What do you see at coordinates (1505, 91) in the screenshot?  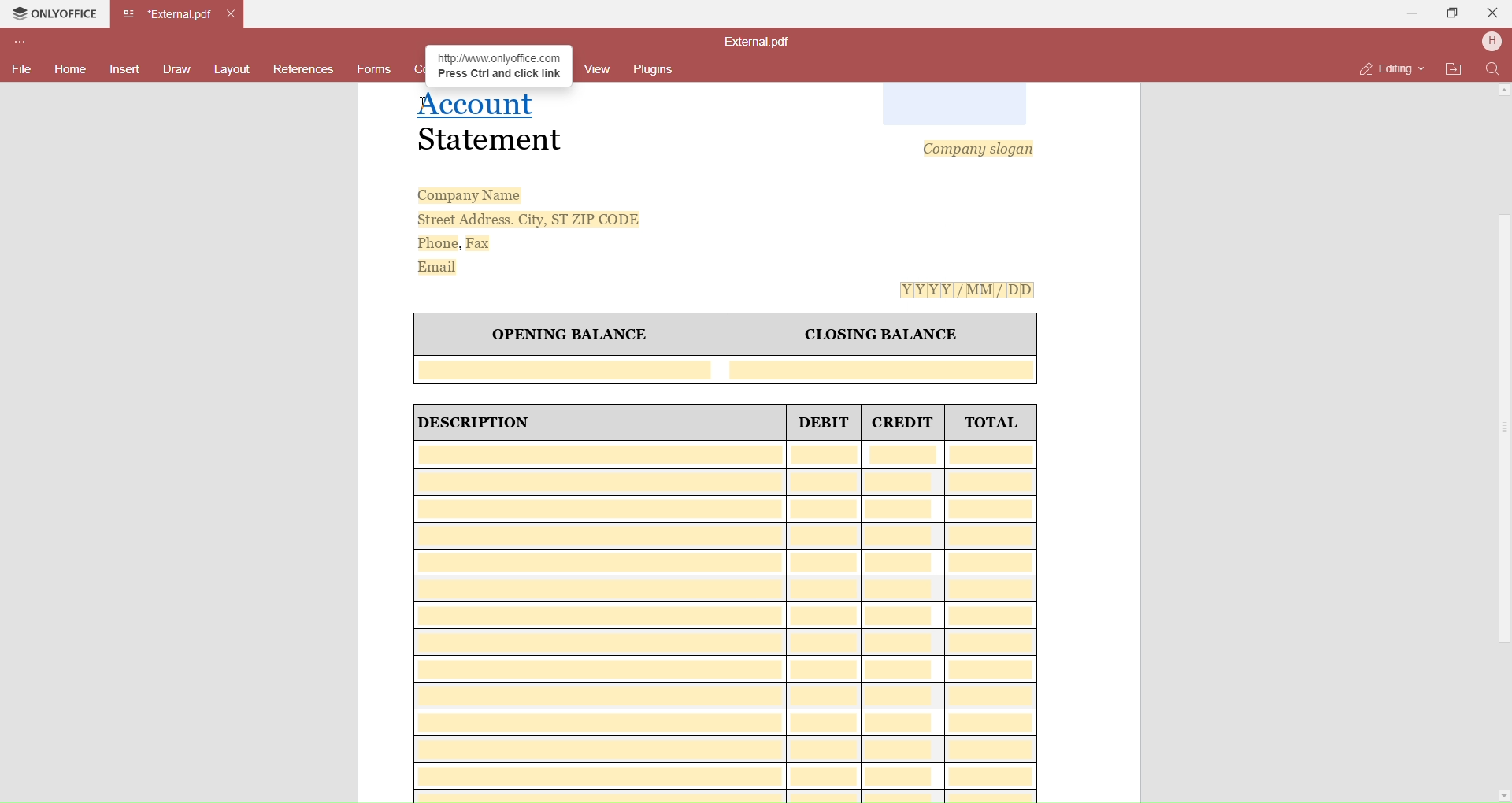 I see `Scroll Up` at bounding box center [1505, 91].